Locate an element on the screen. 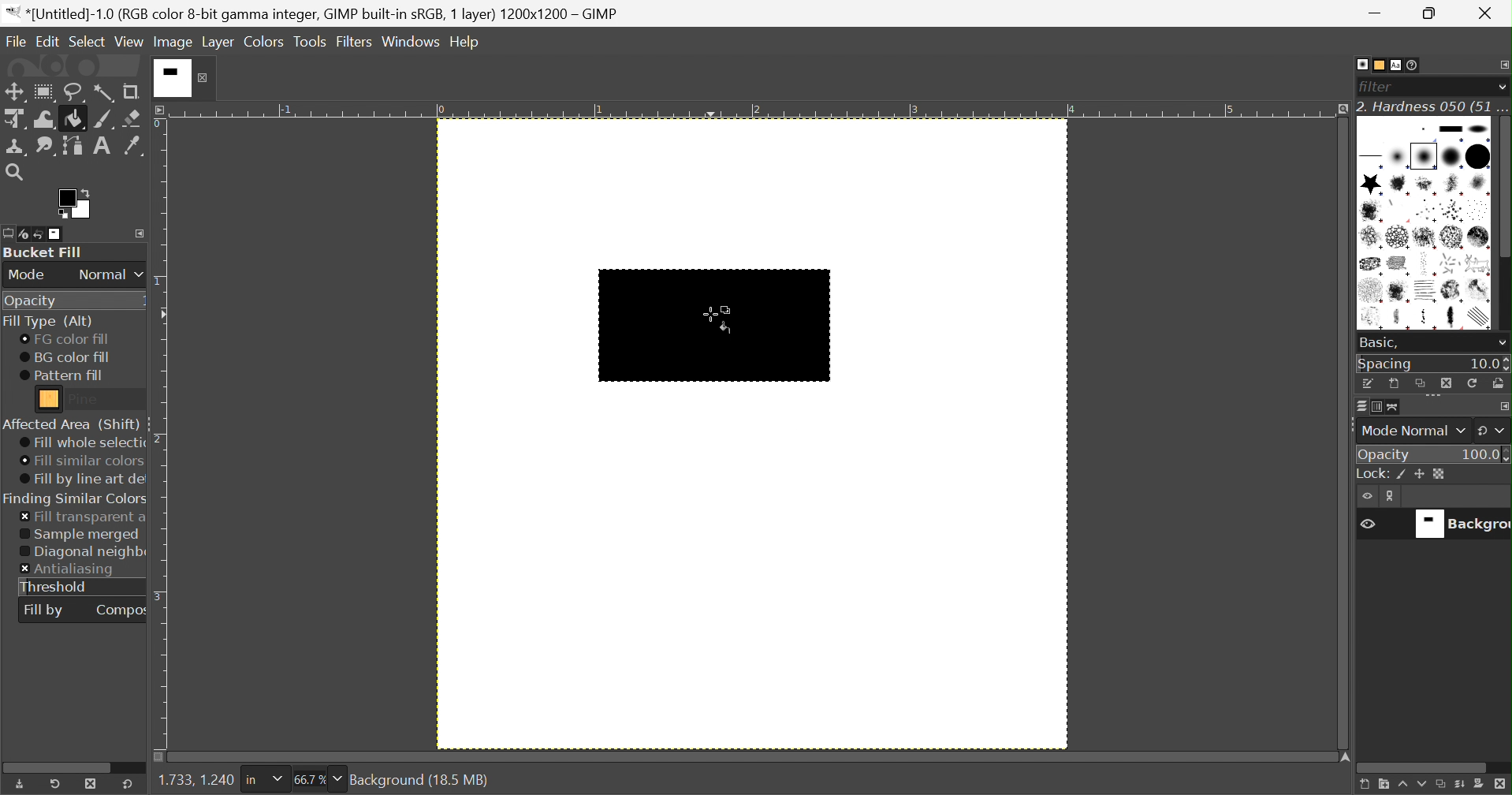 This screenshot has height=795, width=1512. Windows is located at coordinates (410, 43).